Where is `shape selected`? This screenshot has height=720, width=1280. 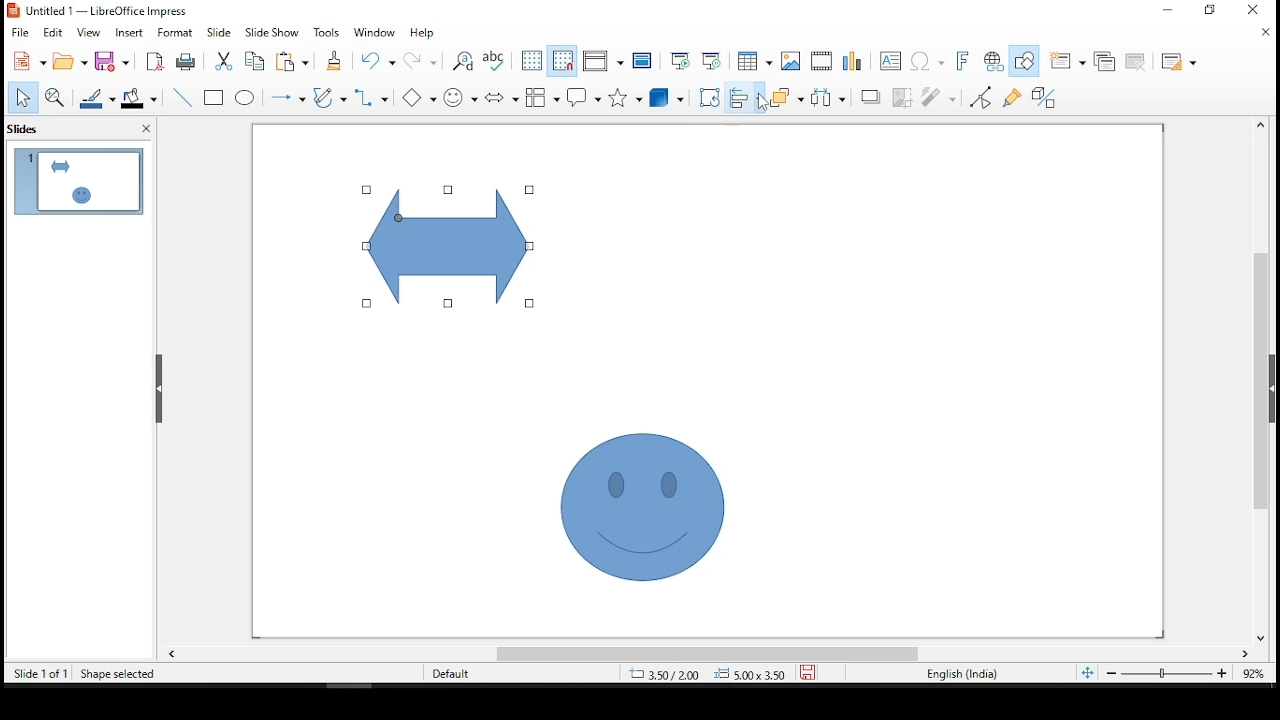 shape selected is located at coordinates (113, 673).